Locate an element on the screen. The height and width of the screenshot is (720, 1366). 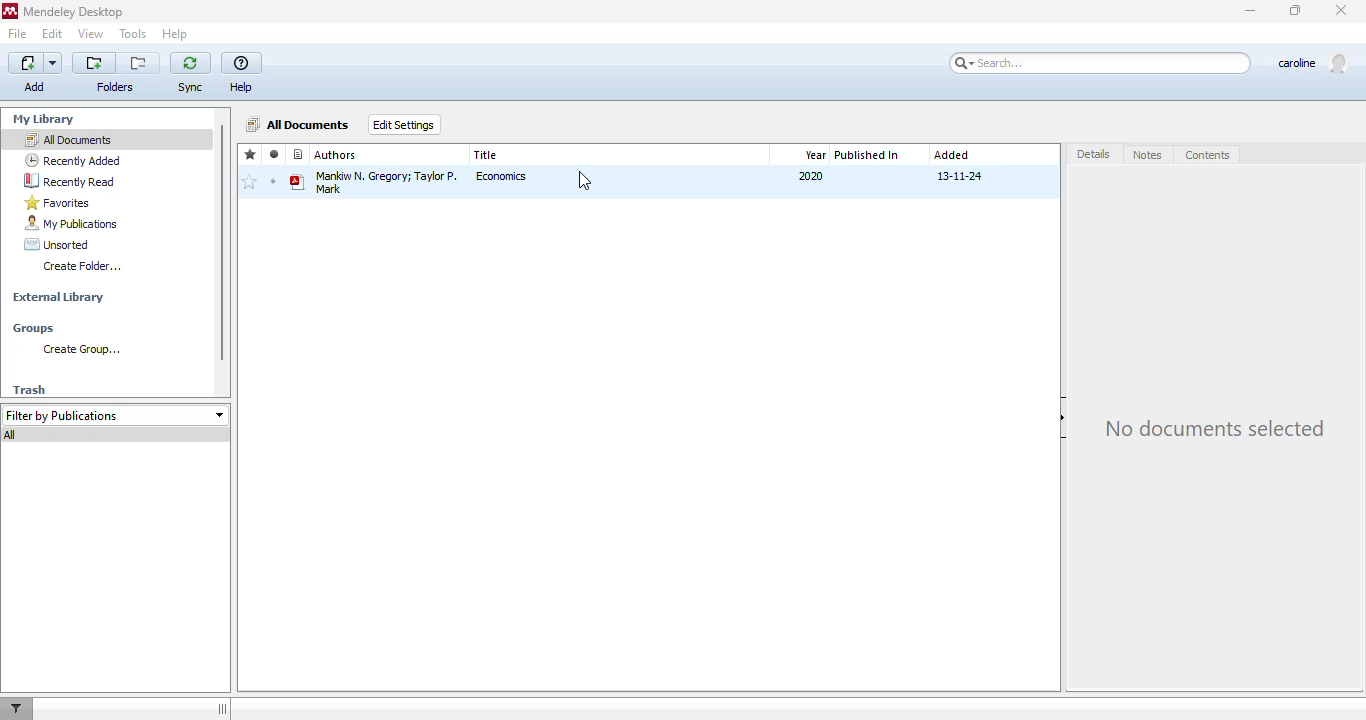
all documents is located at coordinates (69, 140).